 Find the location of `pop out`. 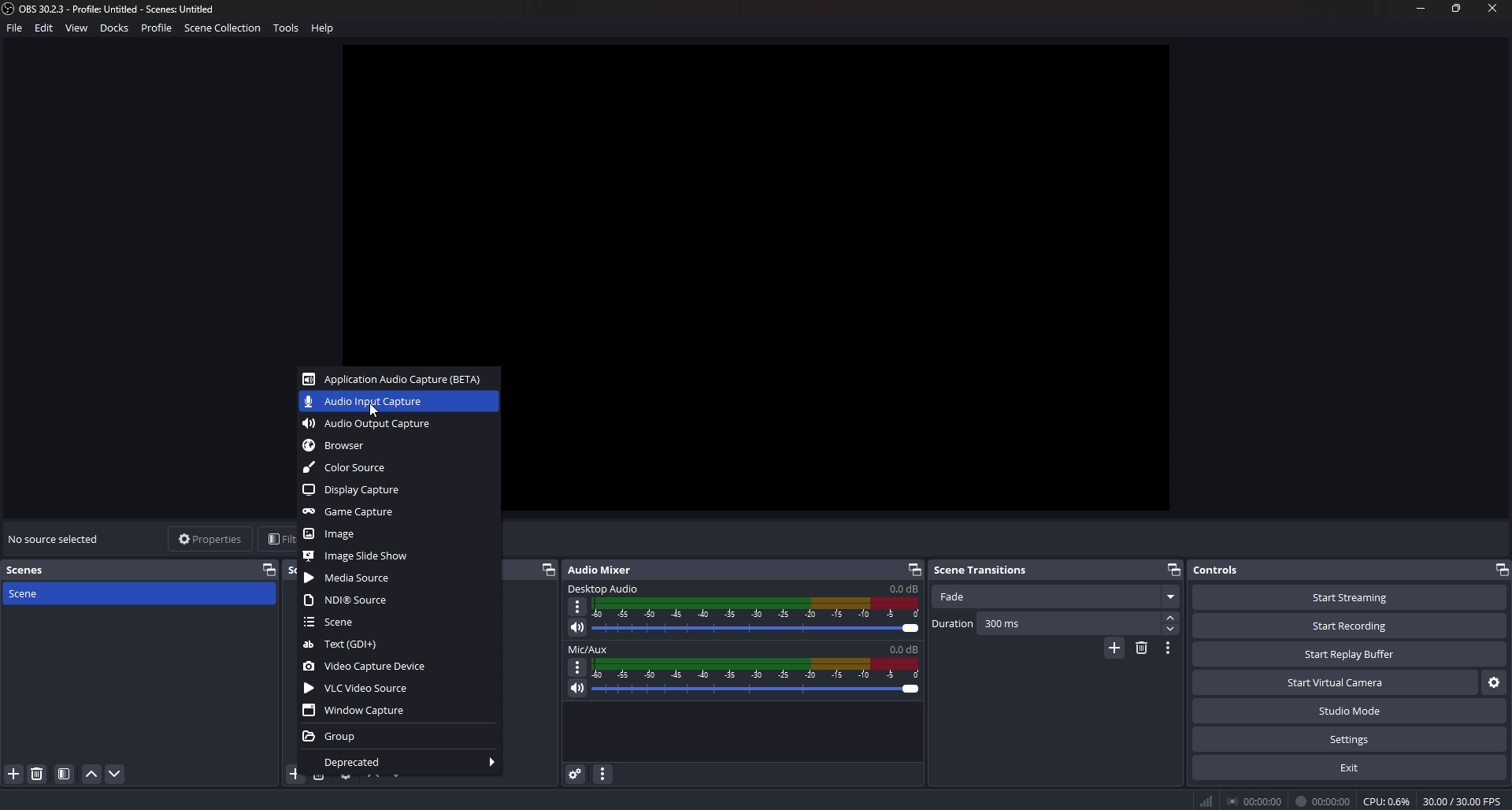

pop out is located at coordinates (1503, 570).